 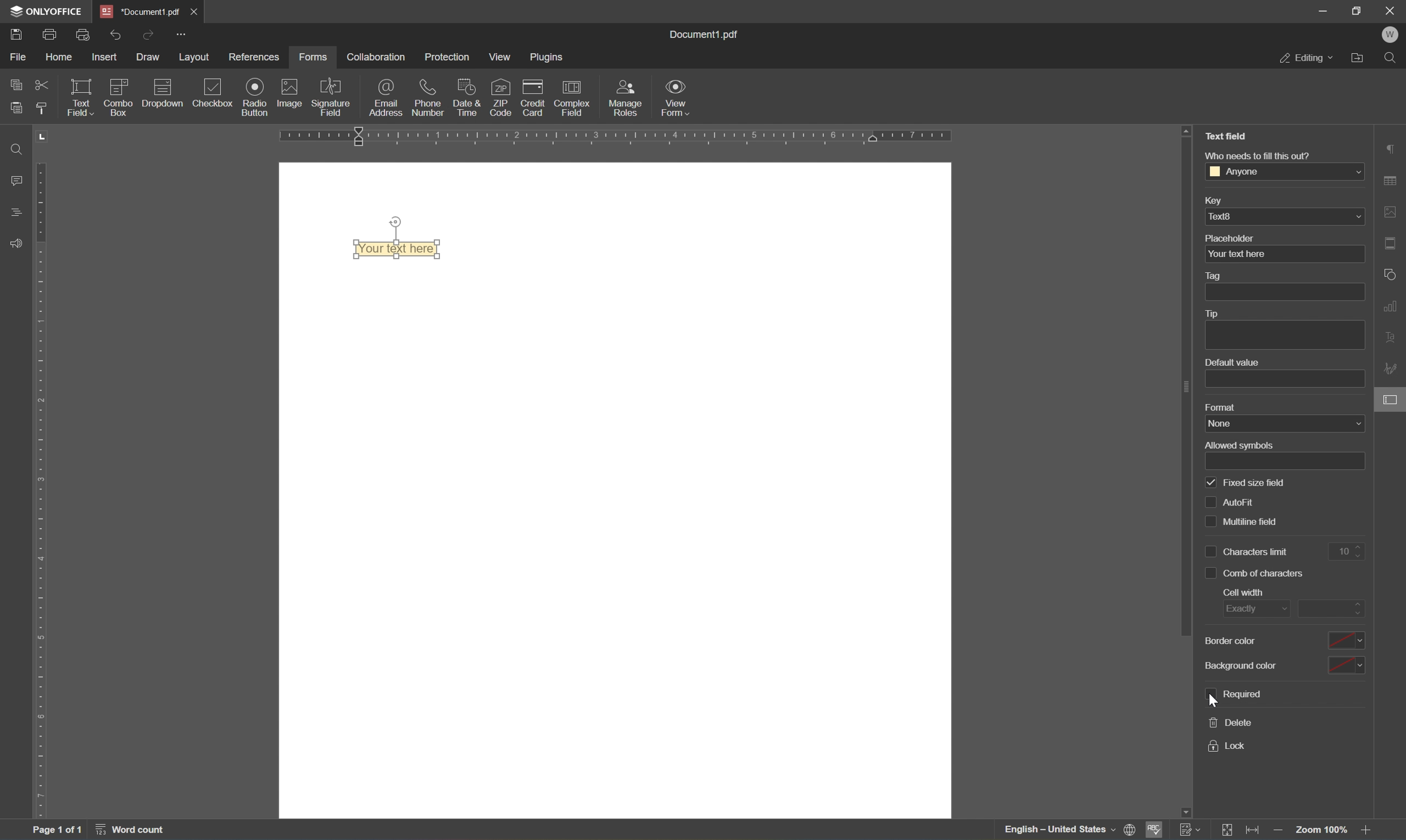 What do you see at coordinates (1277, 832) in the screenshot?
I see `zoom out` at bounding box center [1277, 832].